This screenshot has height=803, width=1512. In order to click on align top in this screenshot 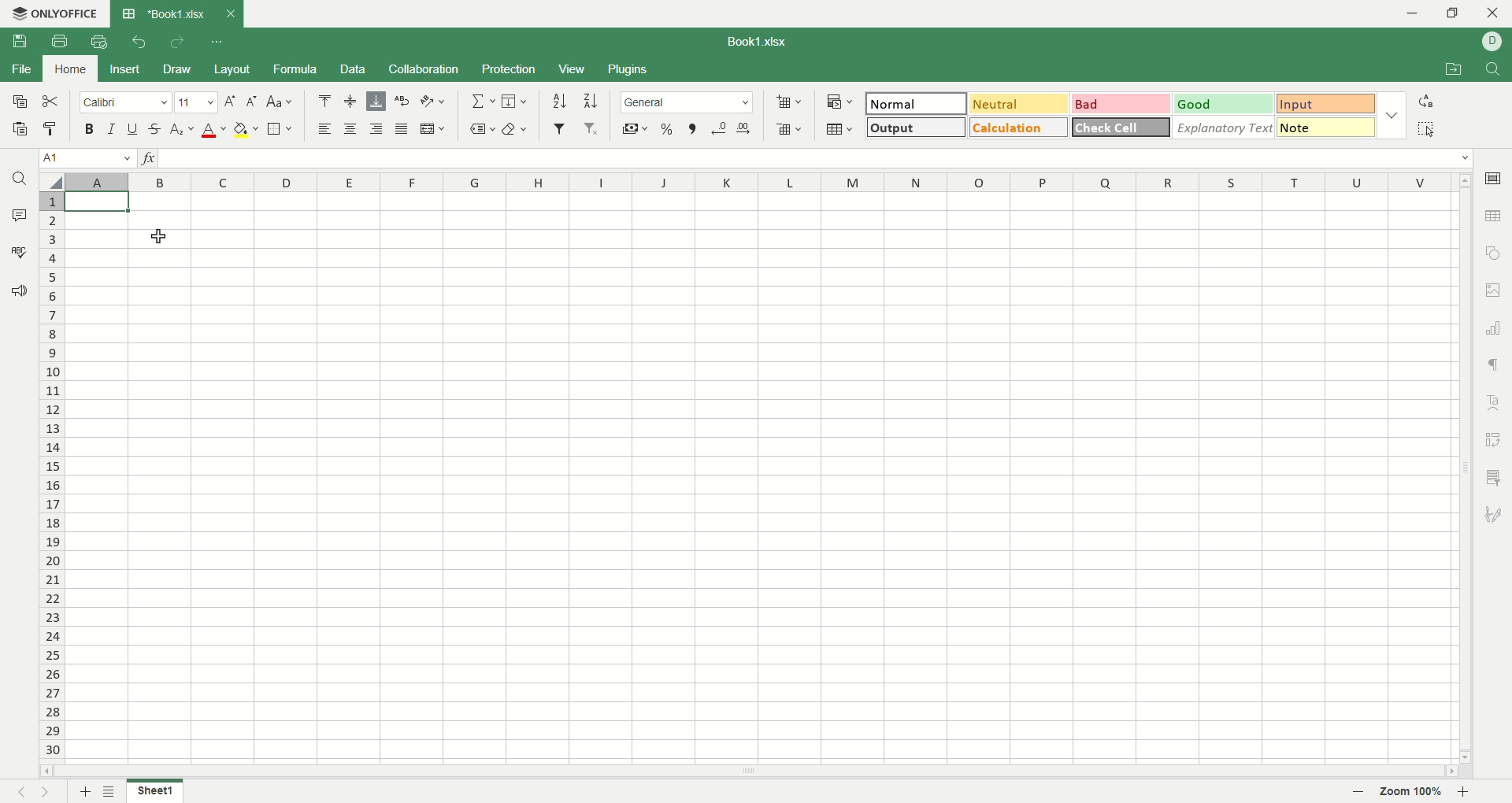, I will do `click(325, 101)`.